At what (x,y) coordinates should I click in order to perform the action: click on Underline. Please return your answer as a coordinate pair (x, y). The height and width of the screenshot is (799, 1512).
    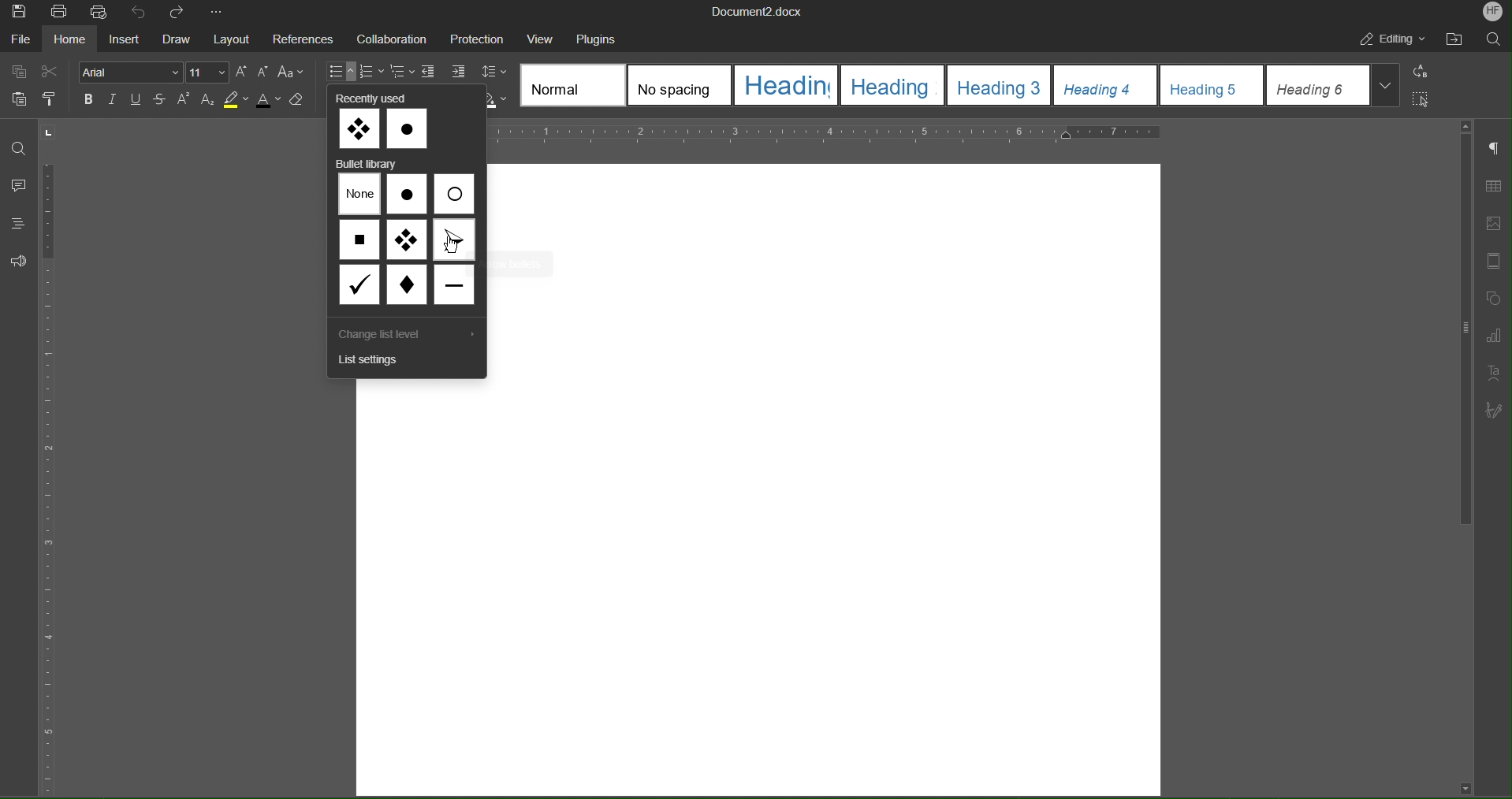
    Looking at the image, I should click on (137, 101).